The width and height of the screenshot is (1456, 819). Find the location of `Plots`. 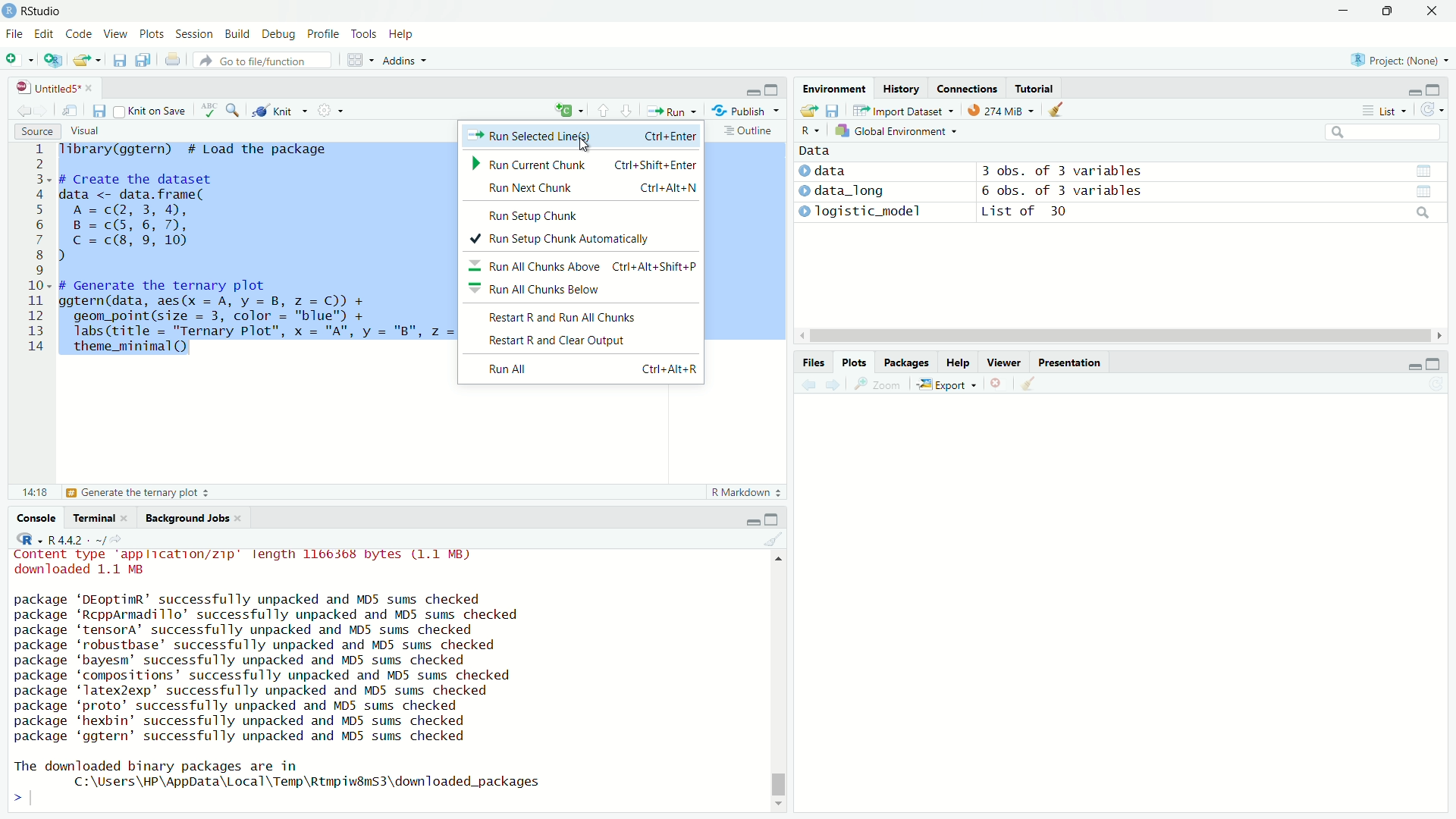

Plots is located at coordinates (852, 361).